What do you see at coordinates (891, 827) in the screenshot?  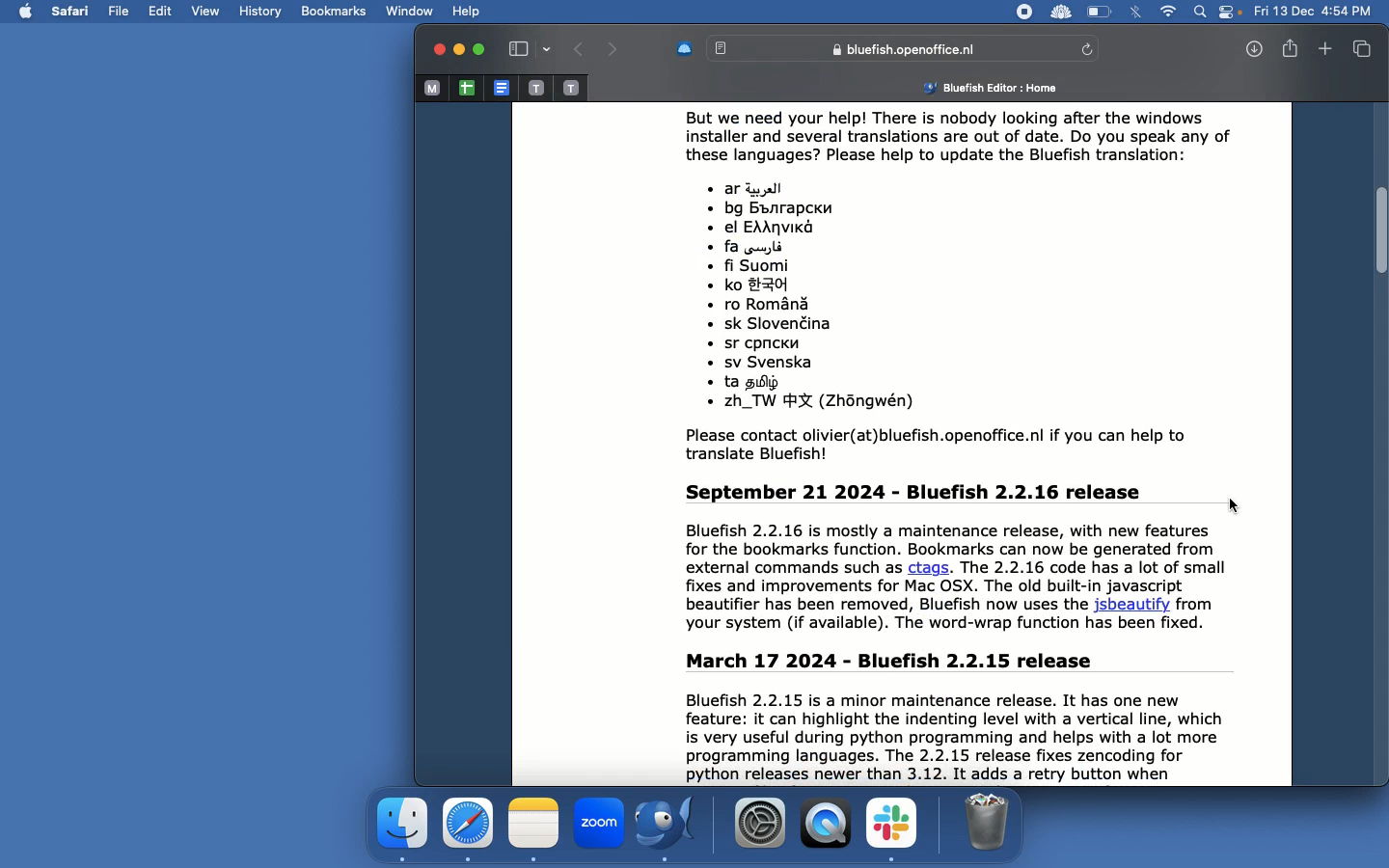 I see `Slack` at bounding box center [891, 827].